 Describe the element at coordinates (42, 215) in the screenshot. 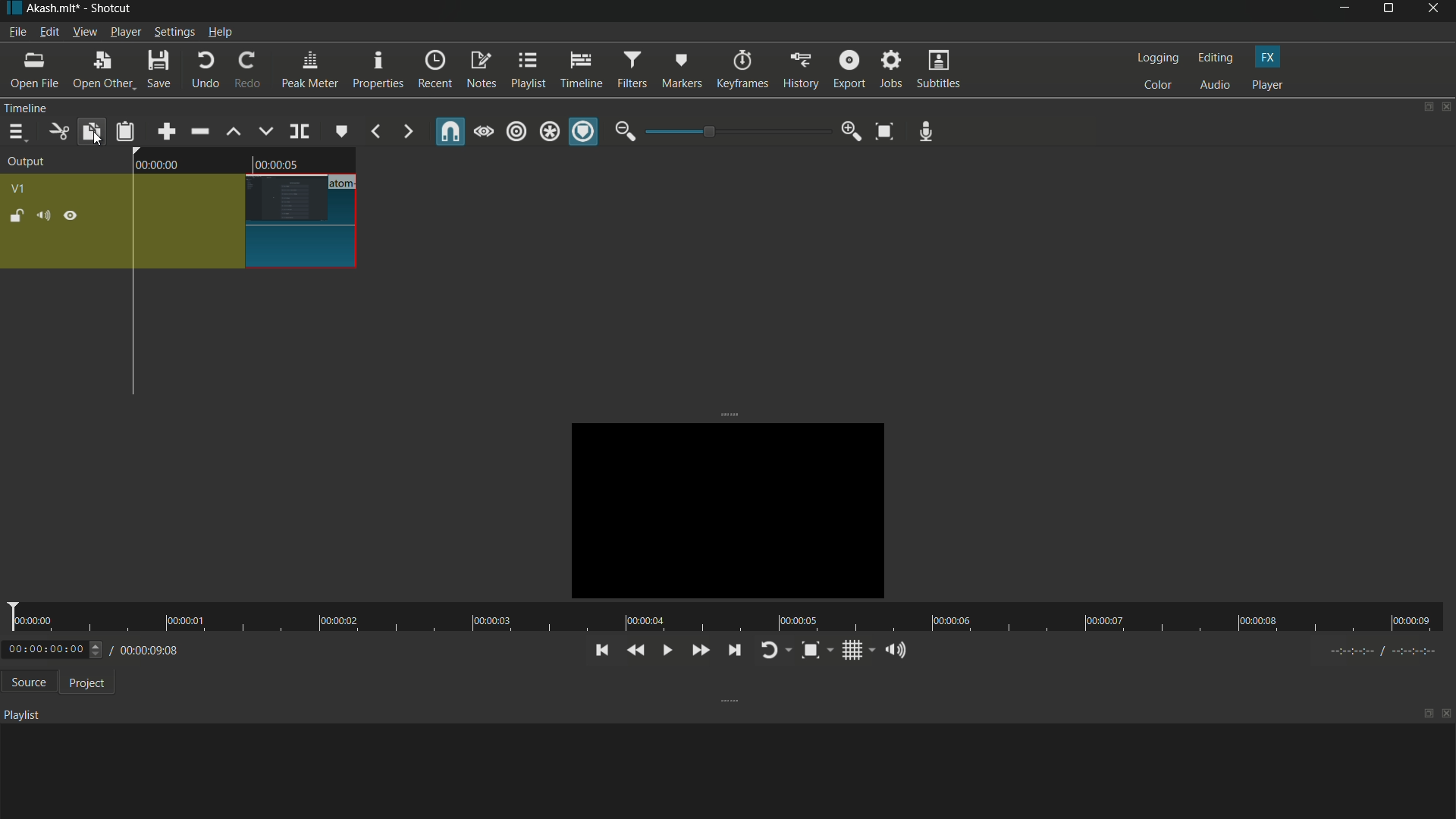

I see `mute` at that location.